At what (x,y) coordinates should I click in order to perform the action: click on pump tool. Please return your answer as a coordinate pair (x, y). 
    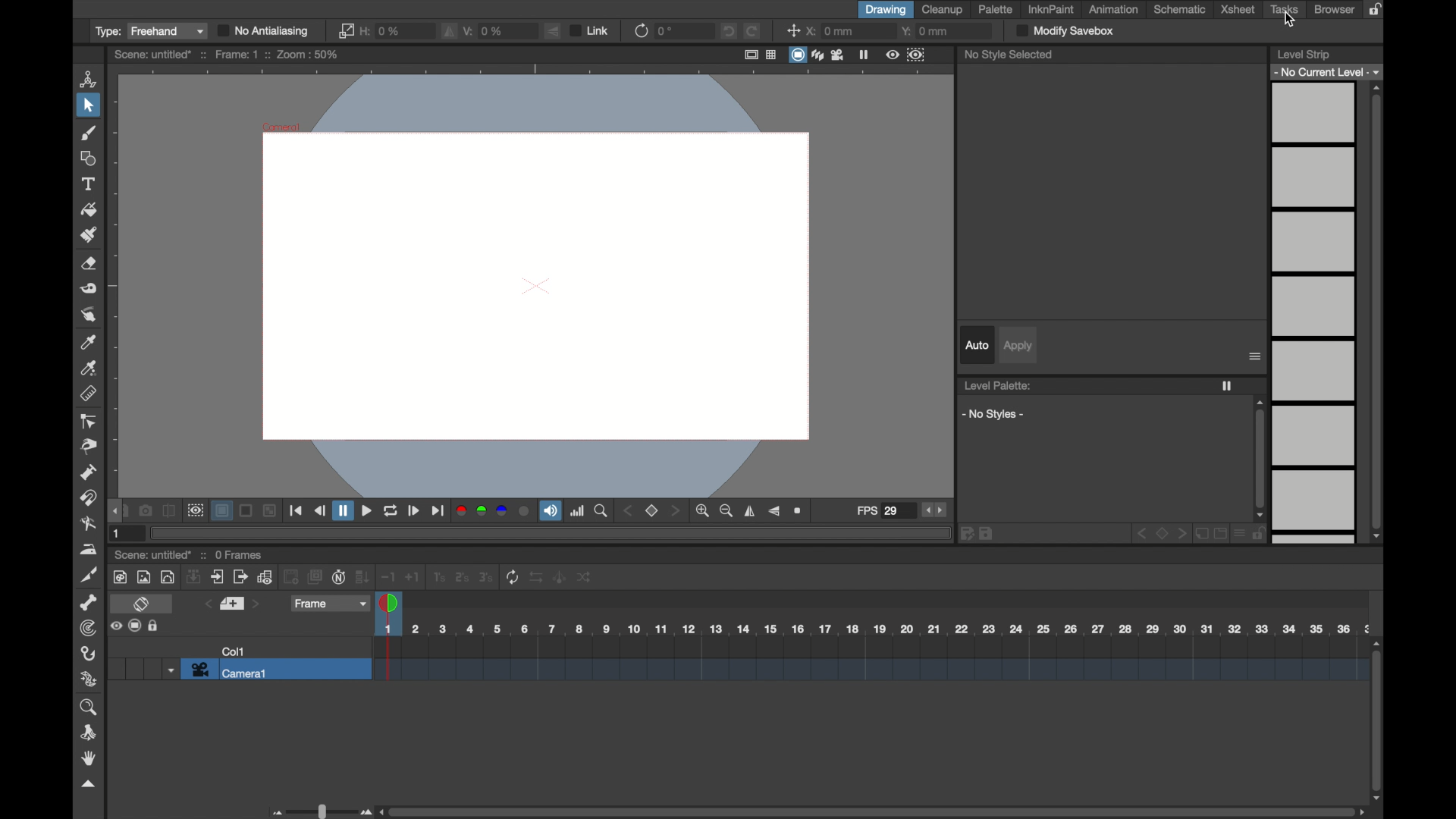
    Looking at the image, I should click on (88, 472).